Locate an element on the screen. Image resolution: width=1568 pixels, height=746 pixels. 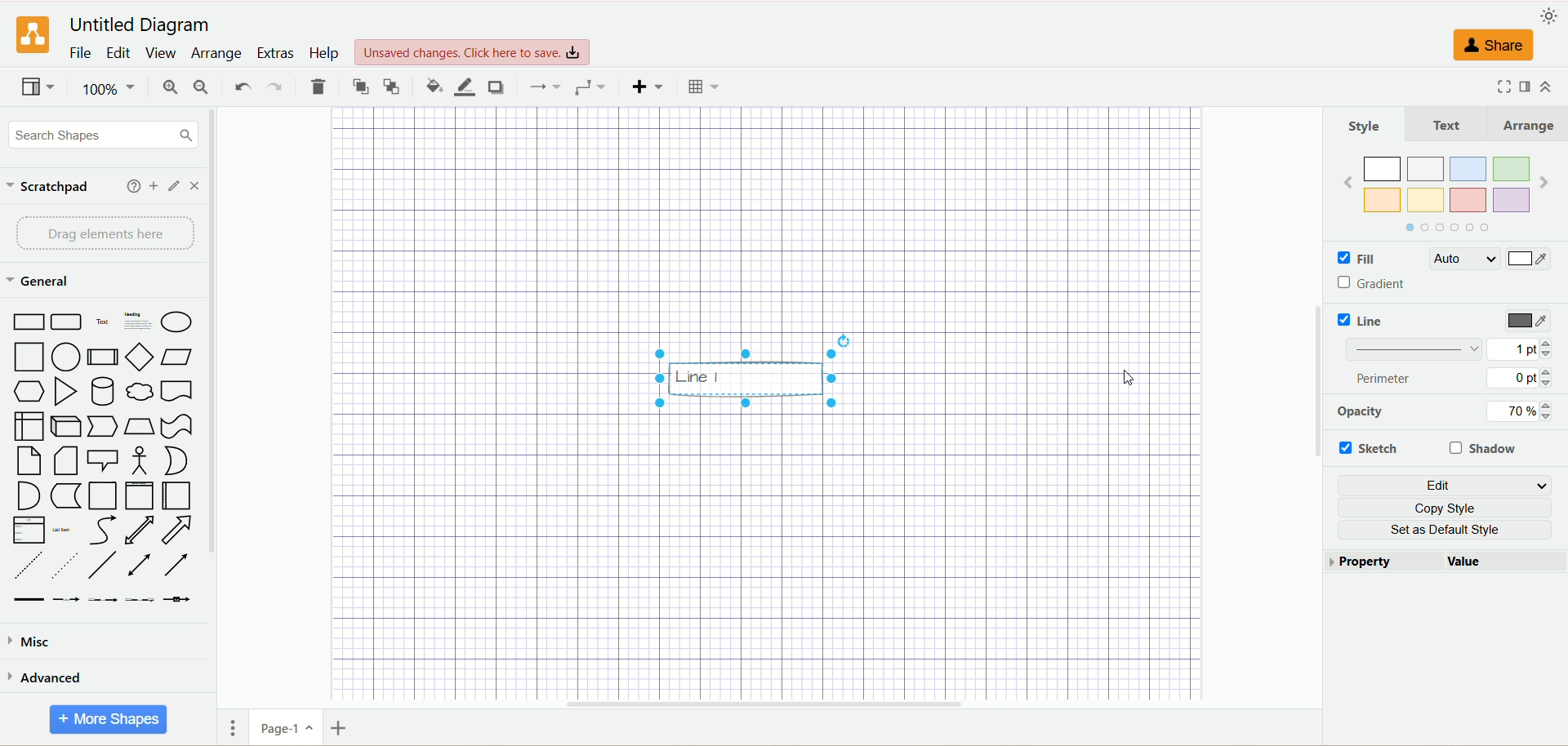
100% is located at coordinates (106, 89).